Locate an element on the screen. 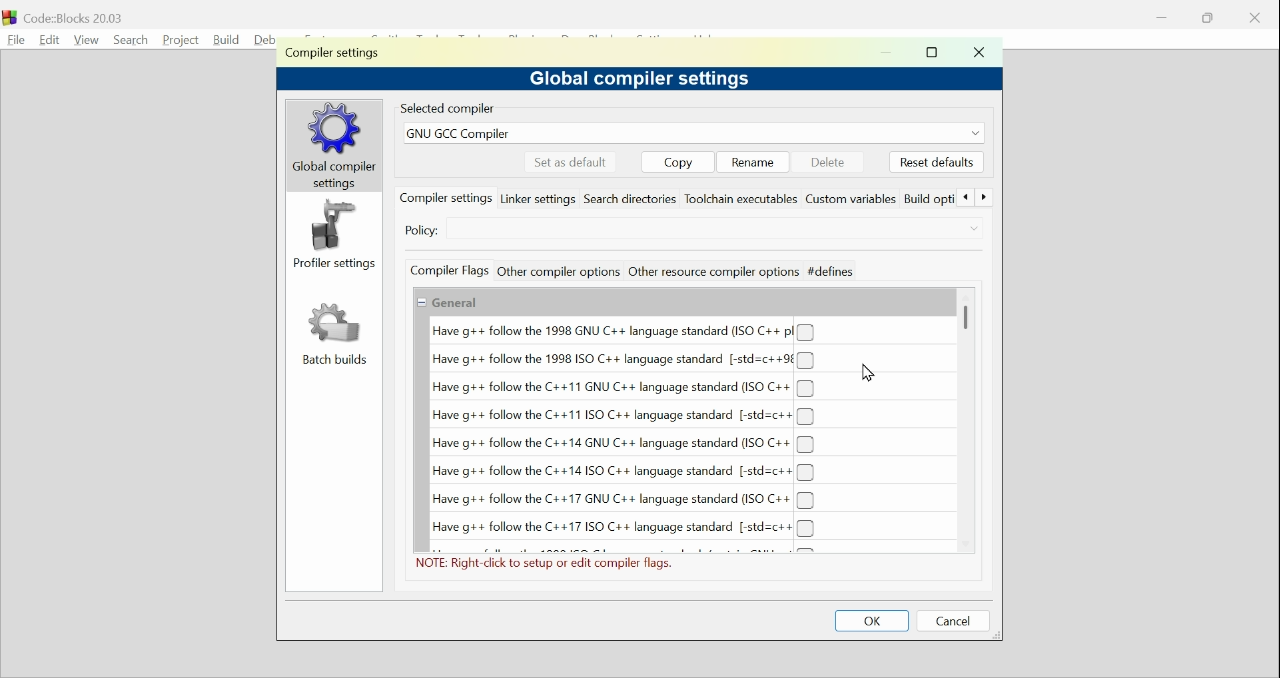 The height and width of the screenshot is (678, 1280). OK is located at coordinates (874, 621).